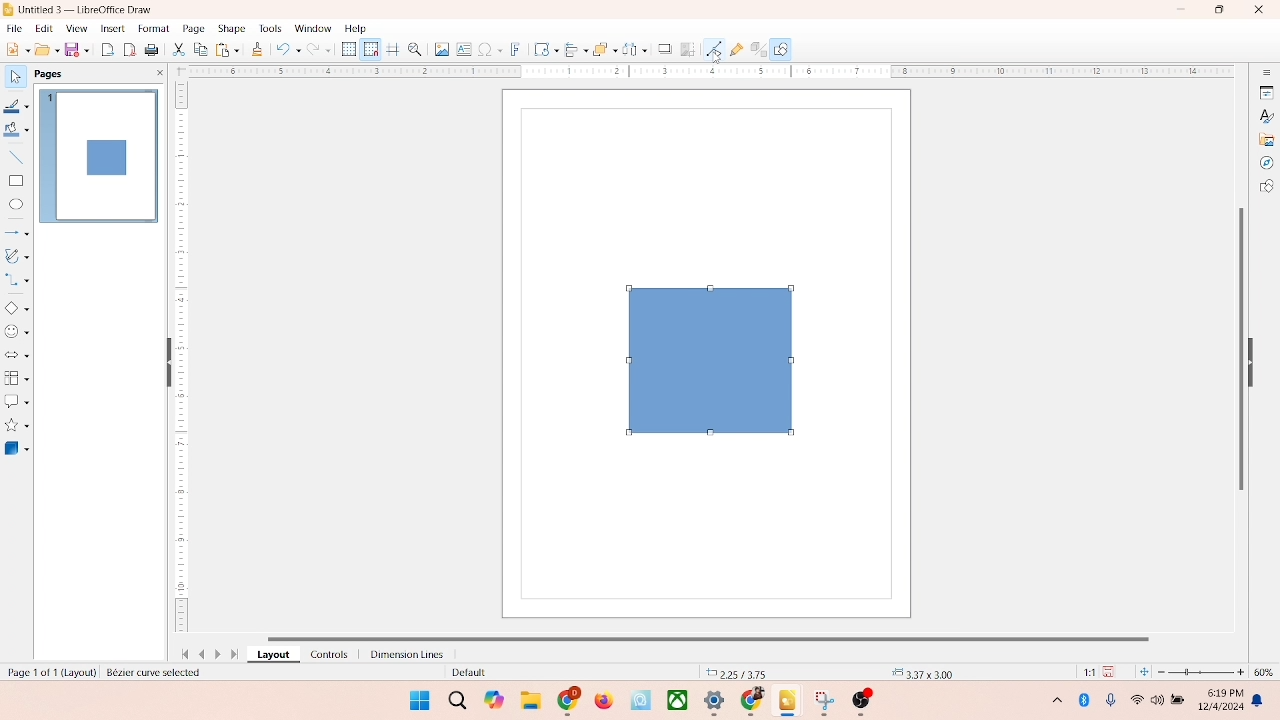 This screenshot has width=1280, height=720. I want to click on logo, so click(9, 9).